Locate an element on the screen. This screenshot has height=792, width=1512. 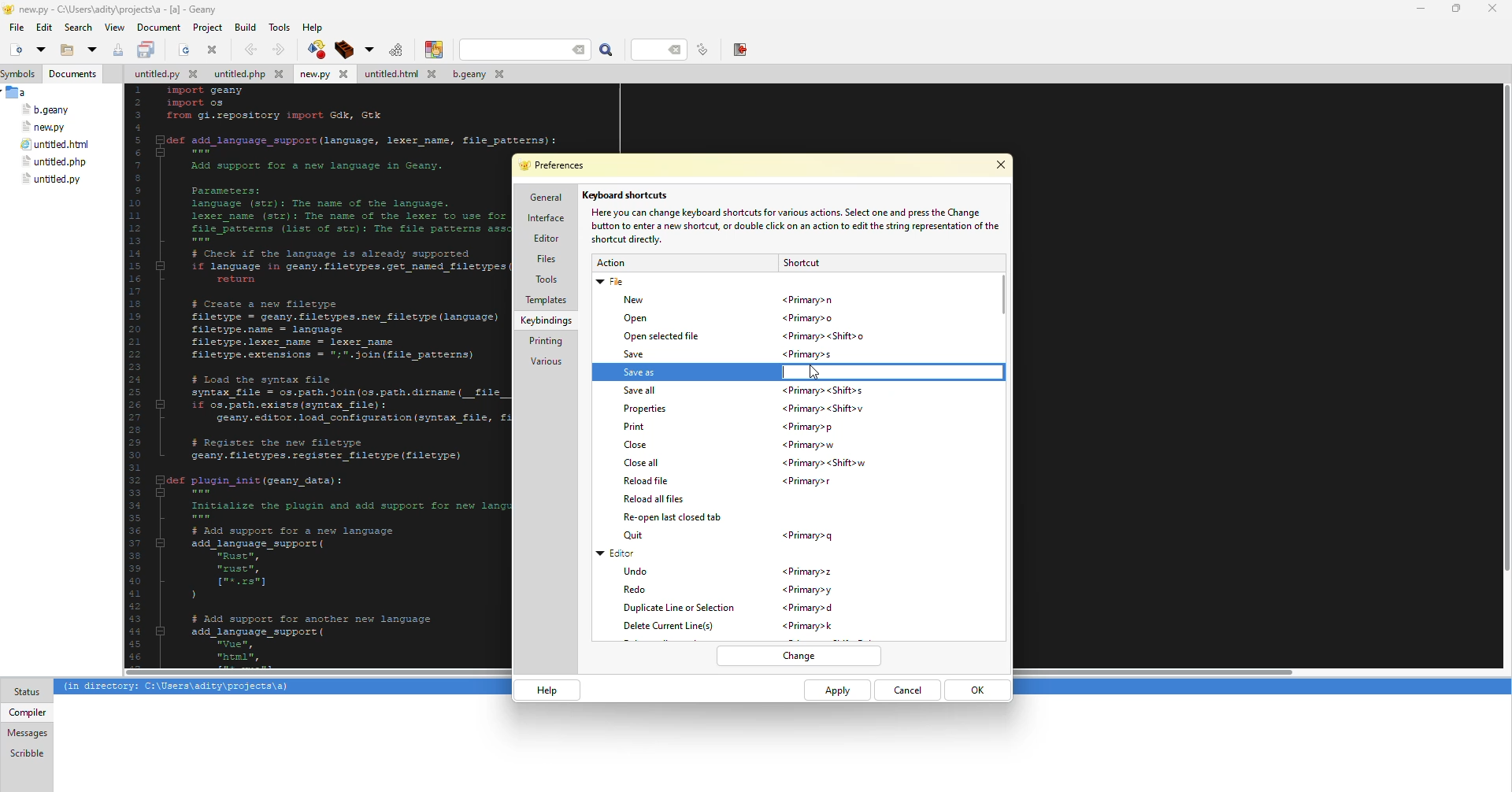
file is located at coordinates (323, 75).